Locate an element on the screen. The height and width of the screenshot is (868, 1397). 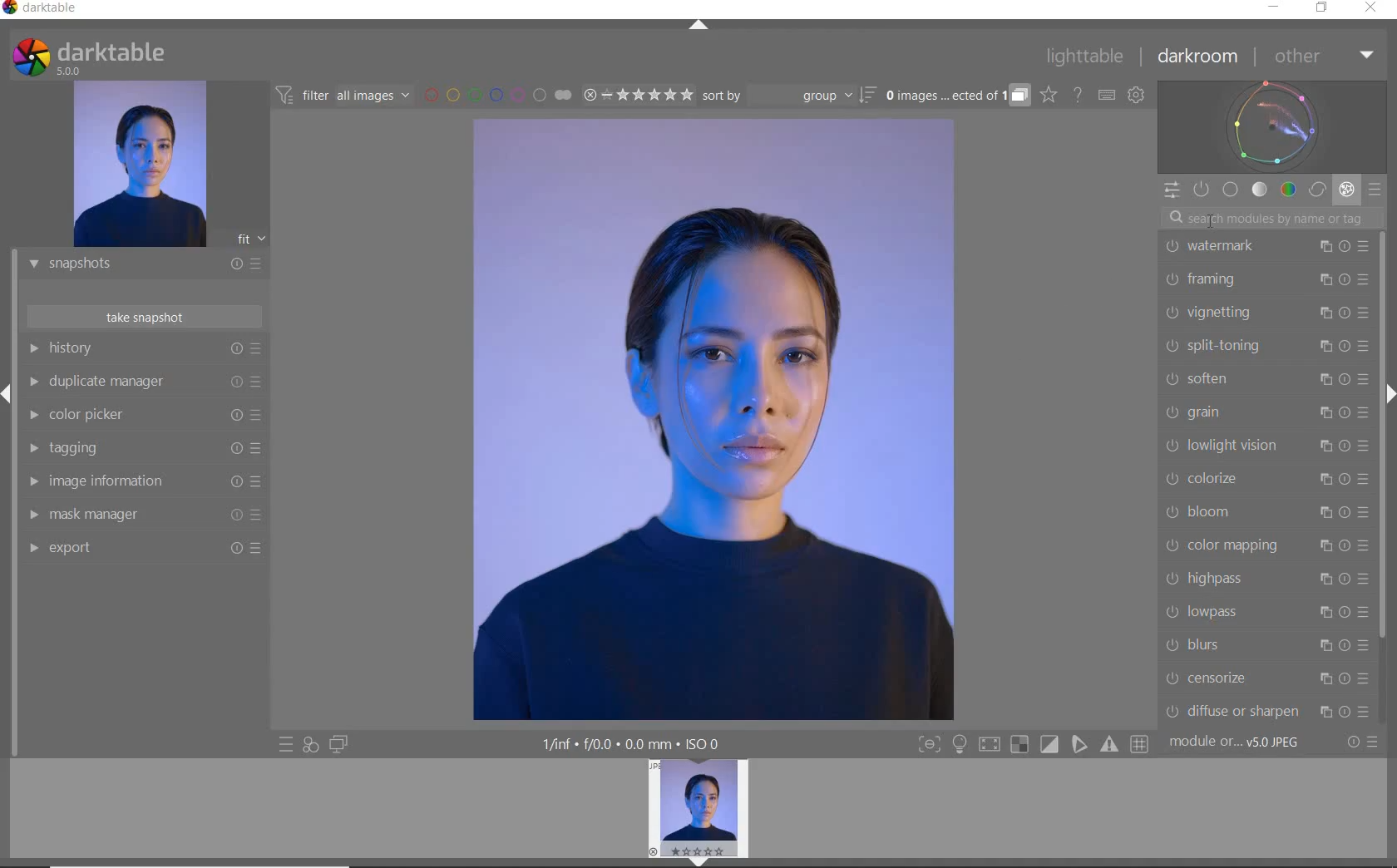
WATERMARK is located at coordinates (1266, 245).